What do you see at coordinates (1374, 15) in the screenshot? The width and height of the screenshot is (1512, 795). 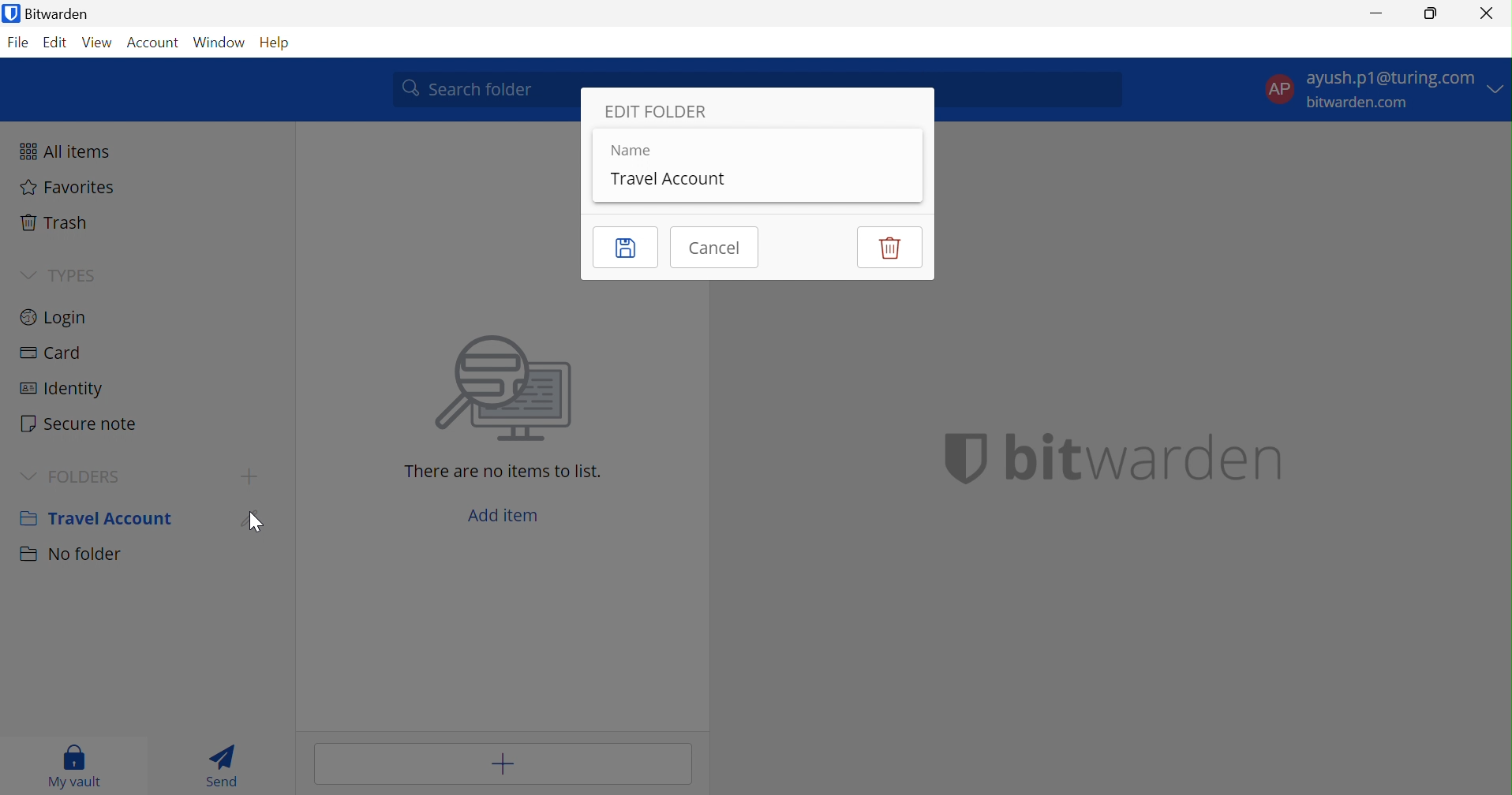 I see `Minimize` at bounding box center [1374, 15].